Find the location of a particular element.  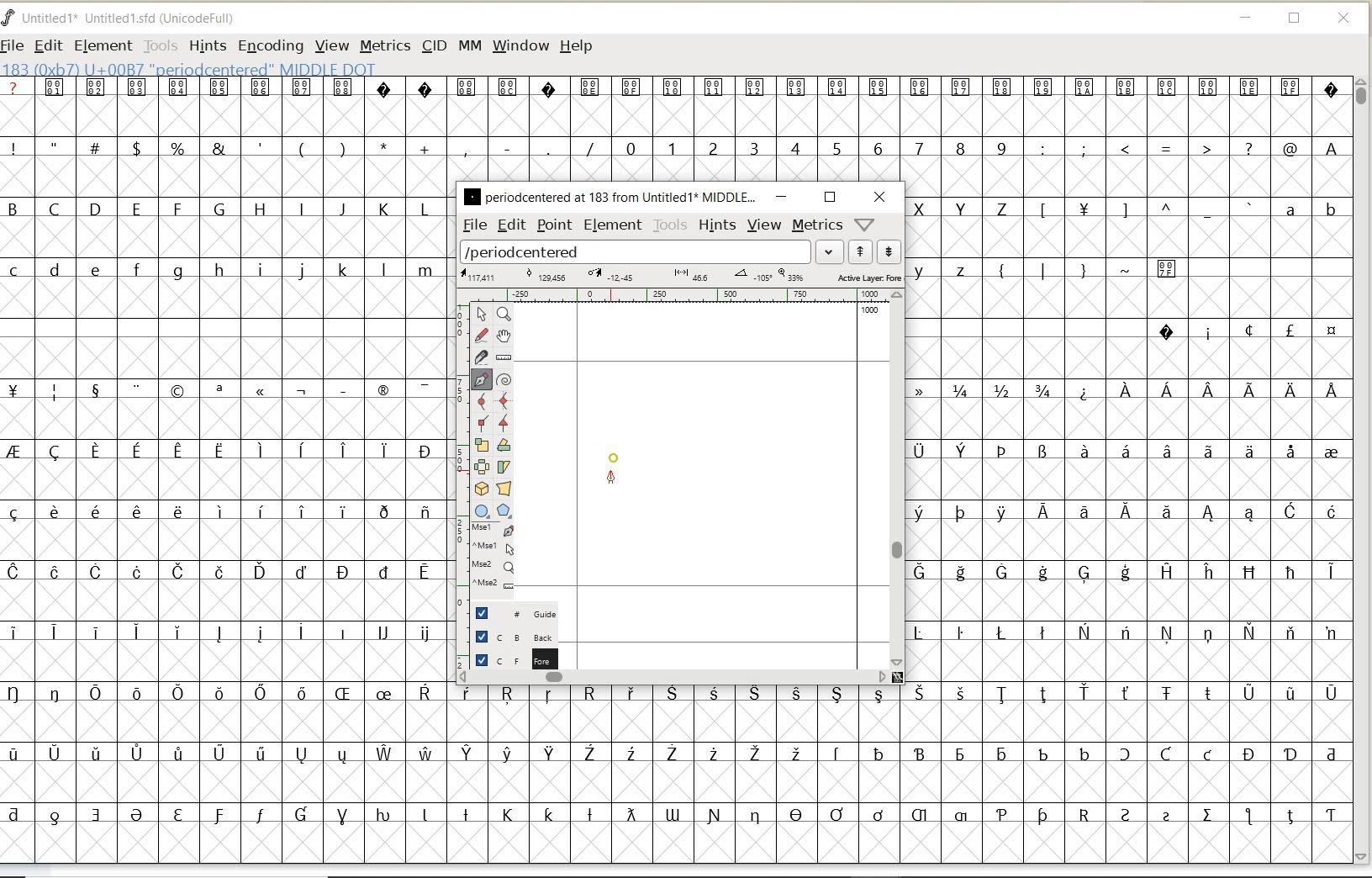

close is located at coordinates (879, 197).